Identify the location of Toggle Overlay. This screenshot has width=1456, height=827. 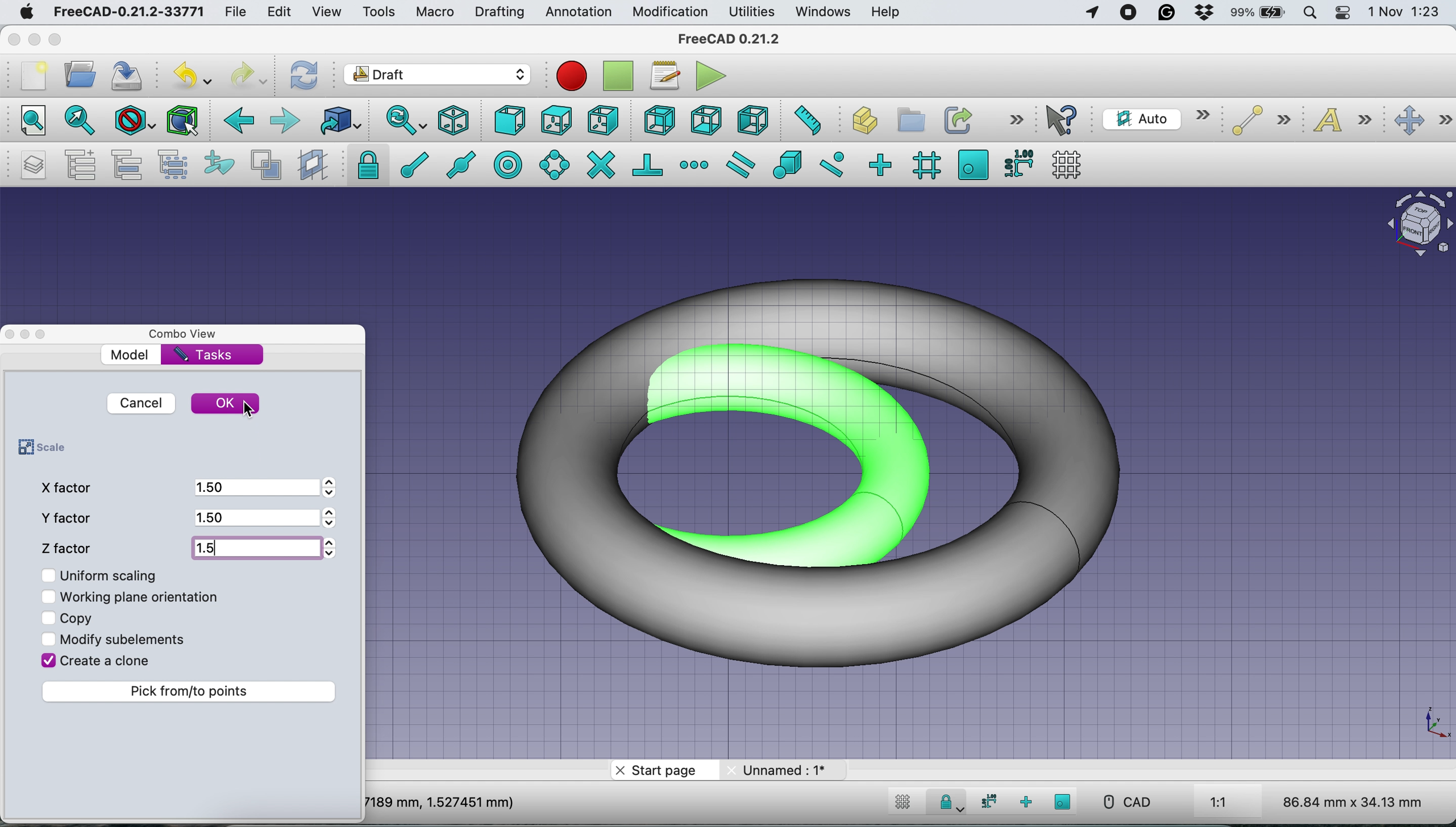
(47, 335).